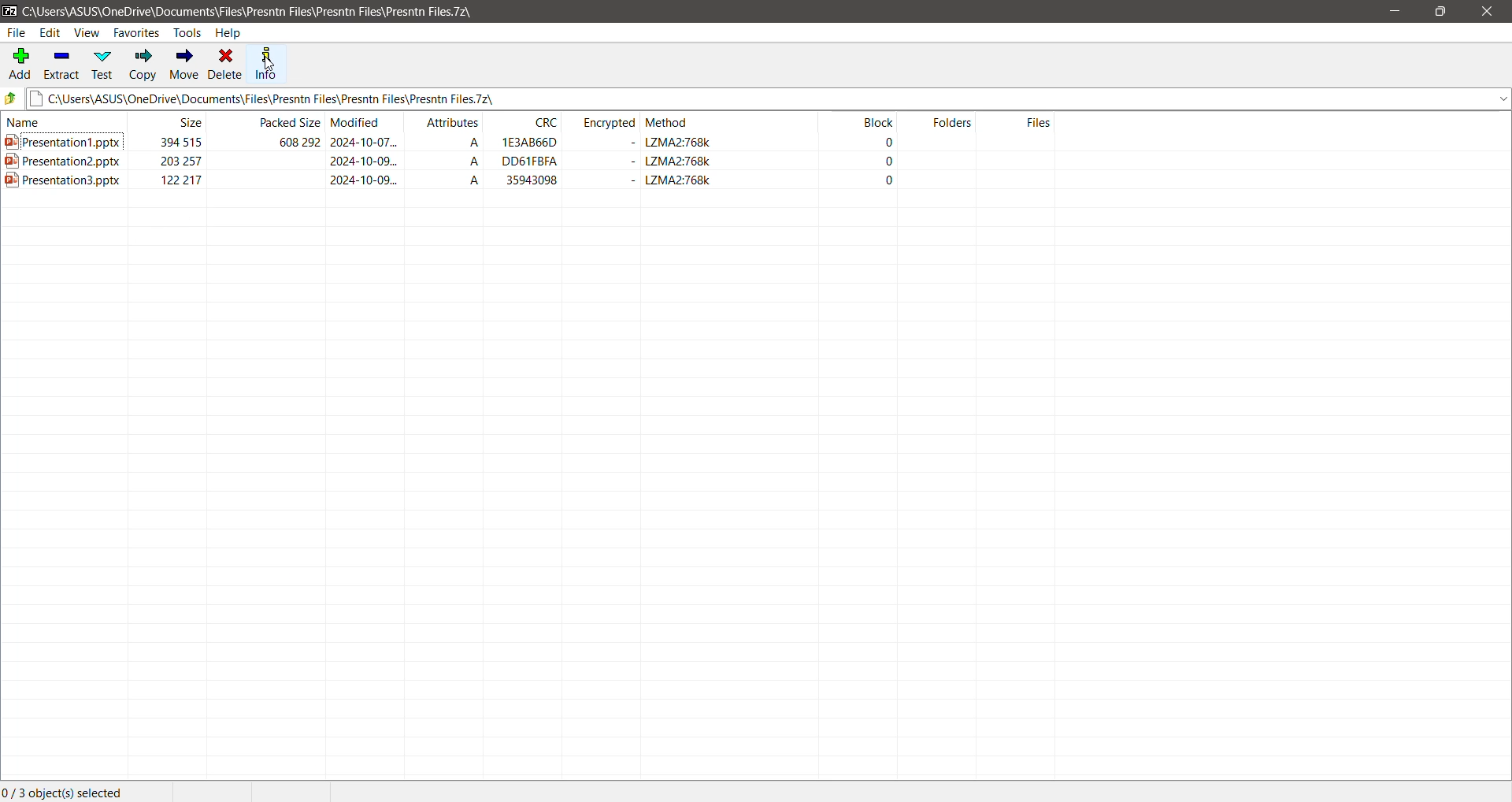  Describe the element at coordinates (370, 144) in the screenshot. I see `2024-10-07` at that location.